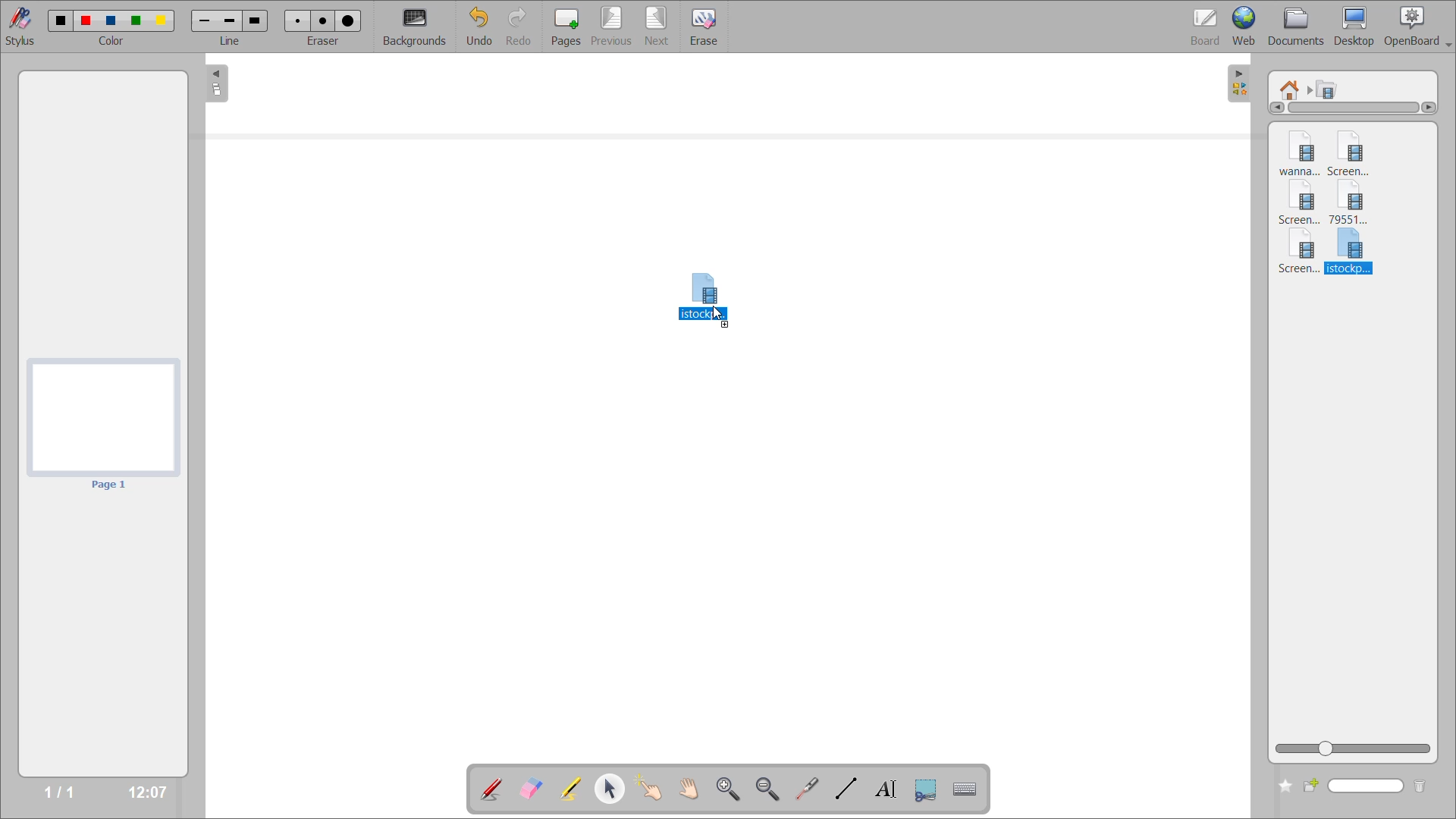  What do you see at coordinates (1200, 24) in the screenshot?
I see `board` at bounding box center [1200, 24].